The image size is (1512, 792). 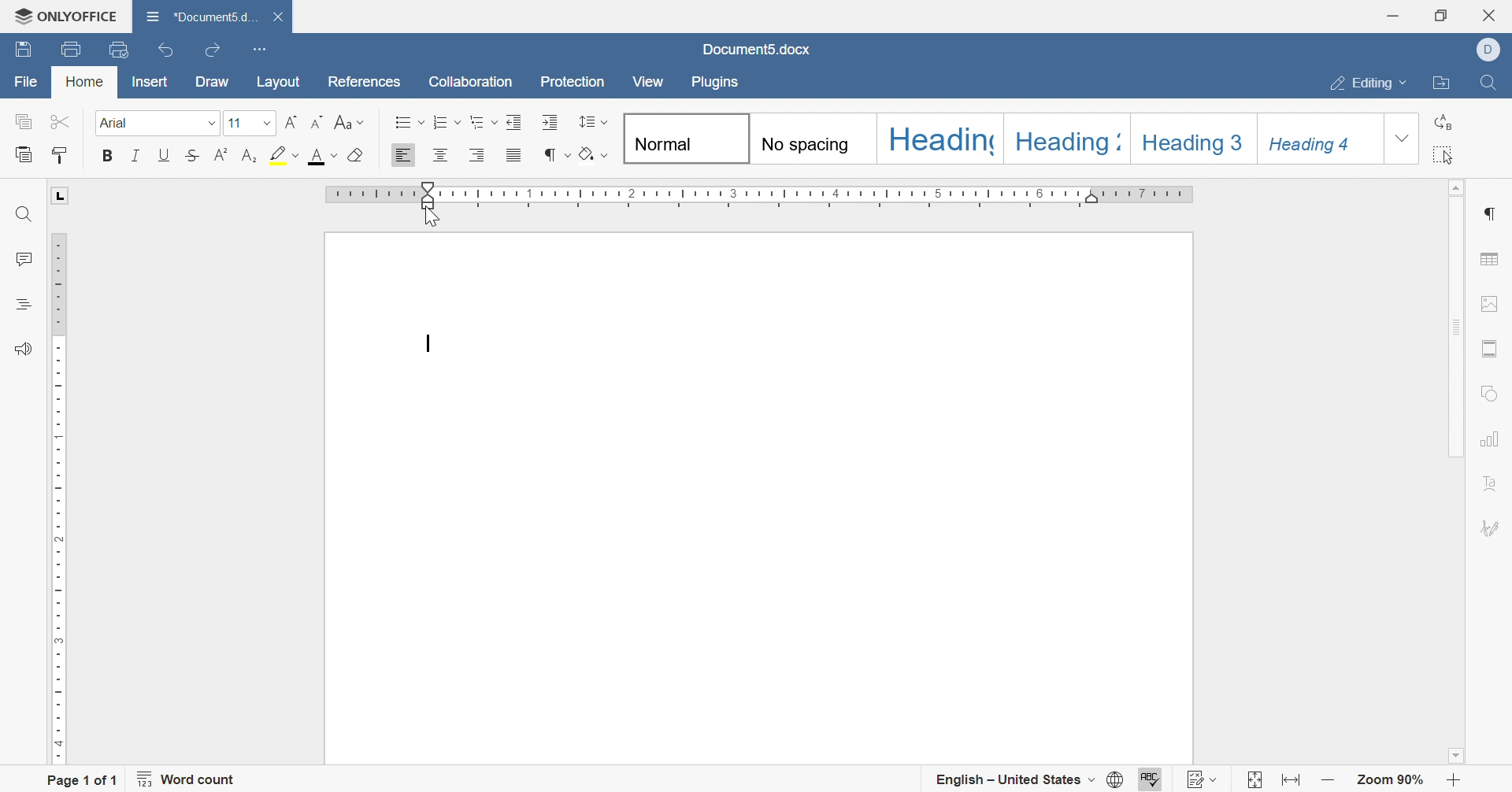 What do you see at coordinates (442, 154) in the screenshot?
I see `Align center` at bounding box center [442, 154].